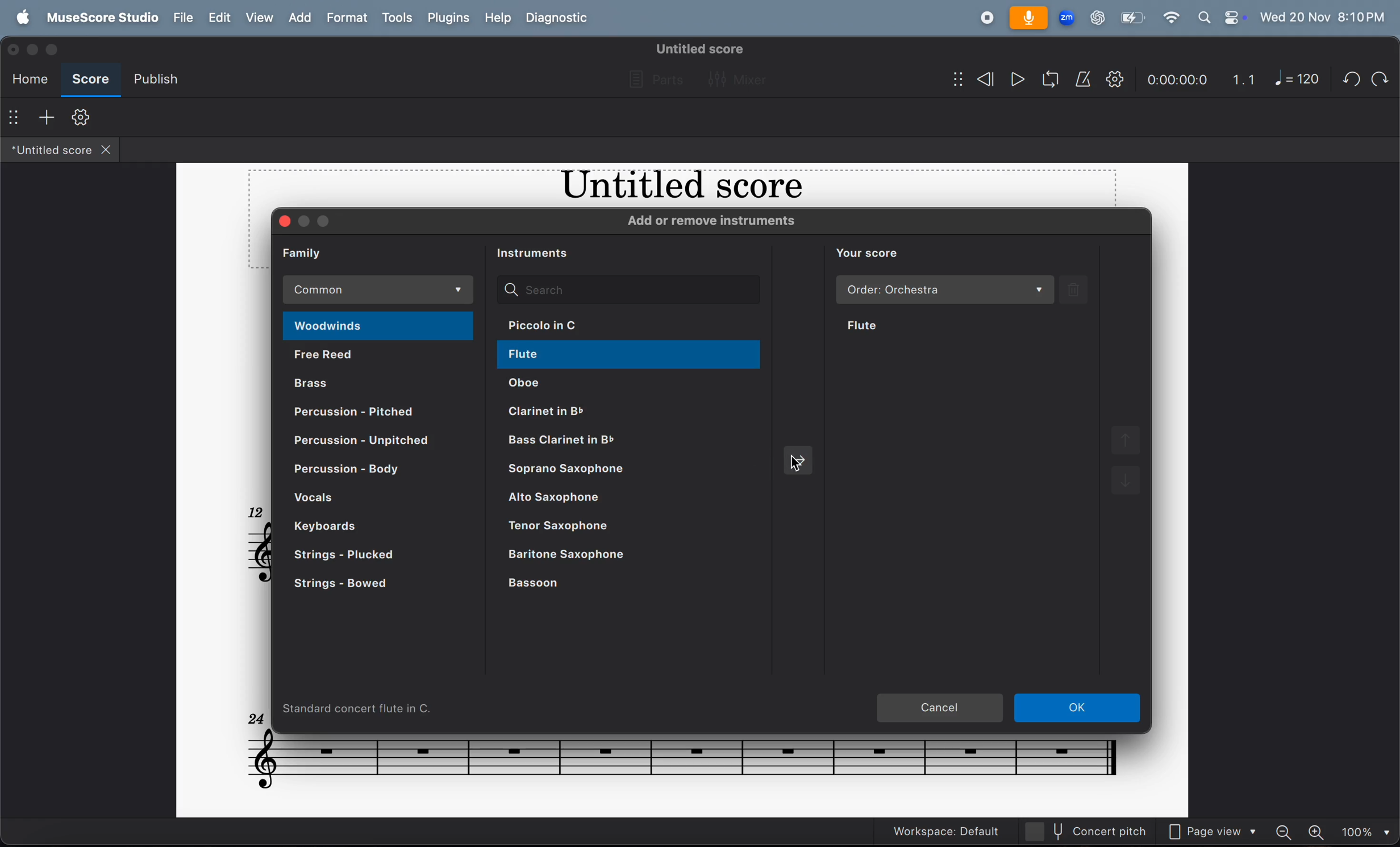 The height and width of the screenshot is (847, 1400). What do you see at coordinates (93, 77) in the screenshot?
I see `score` at bounding box center [93, 77].